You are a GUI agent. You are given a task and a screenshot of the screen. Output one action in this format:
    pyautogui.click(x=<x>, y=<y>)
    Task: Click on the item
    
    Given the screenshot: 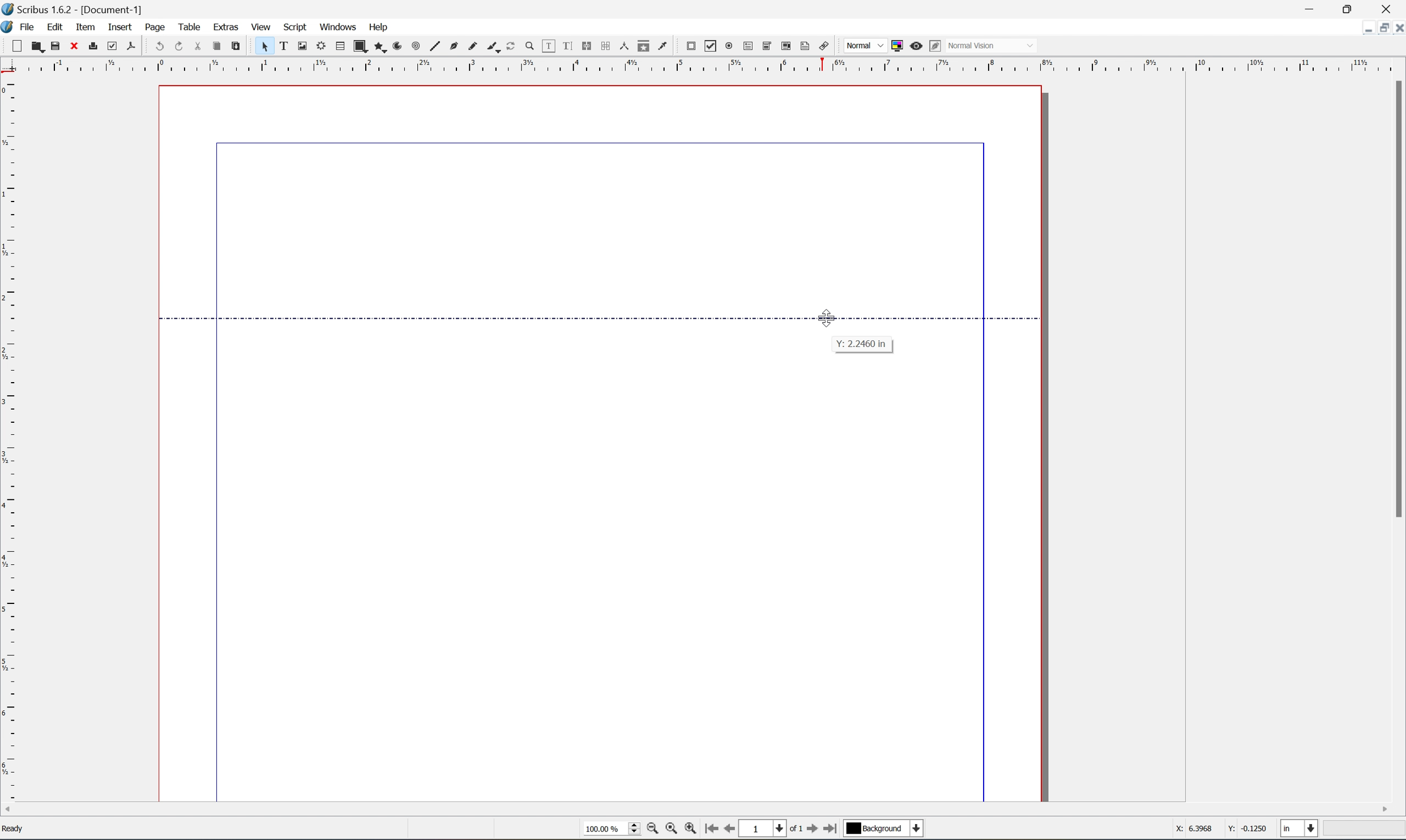 What is the action you would take?
    pyautogui.click(x=84, y=26)
    